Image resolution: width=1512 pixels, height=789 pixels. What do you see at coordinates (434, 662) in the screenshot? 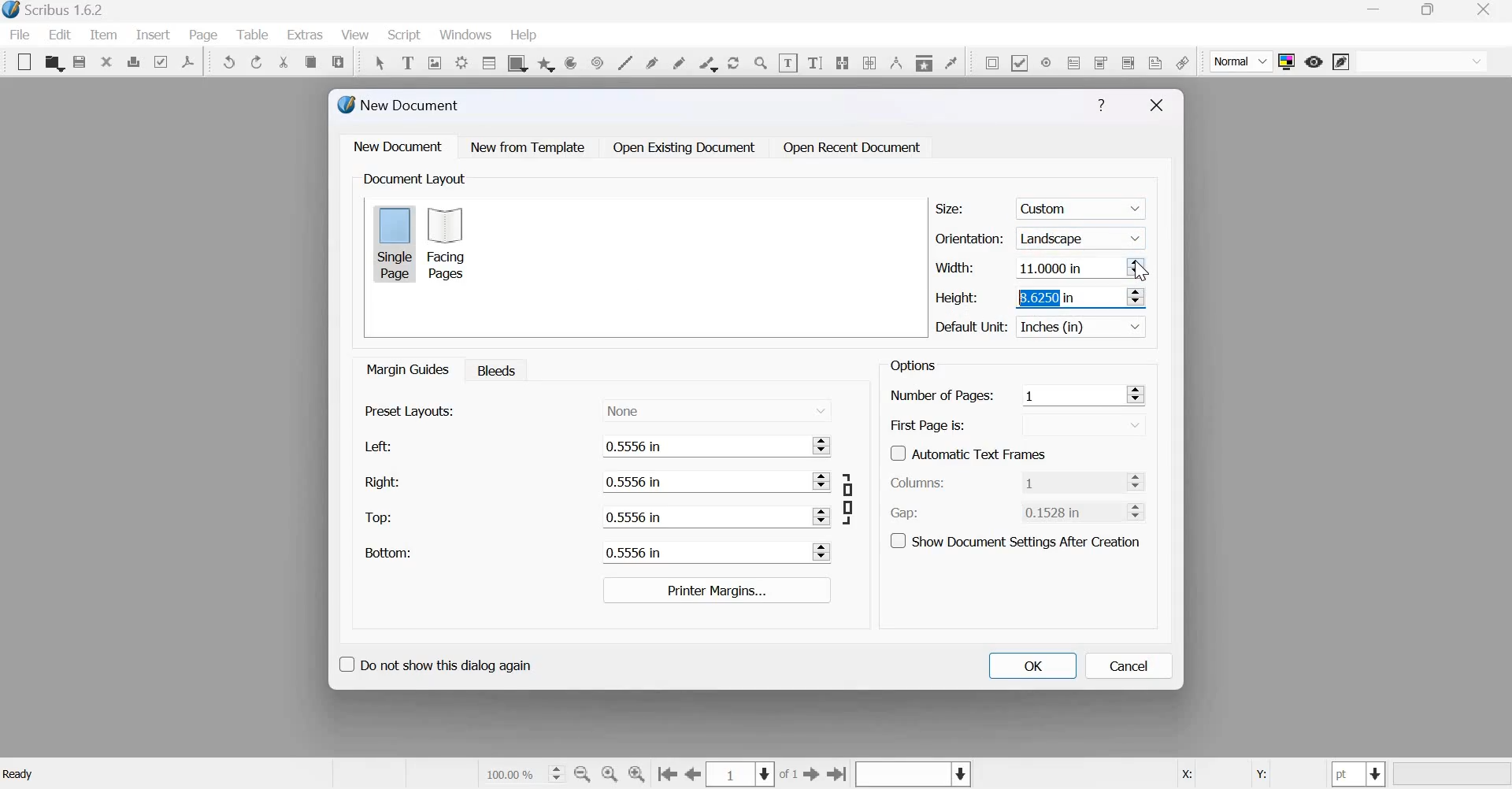
I see `Do not show this dialog again` at bounding box center [434, 662].